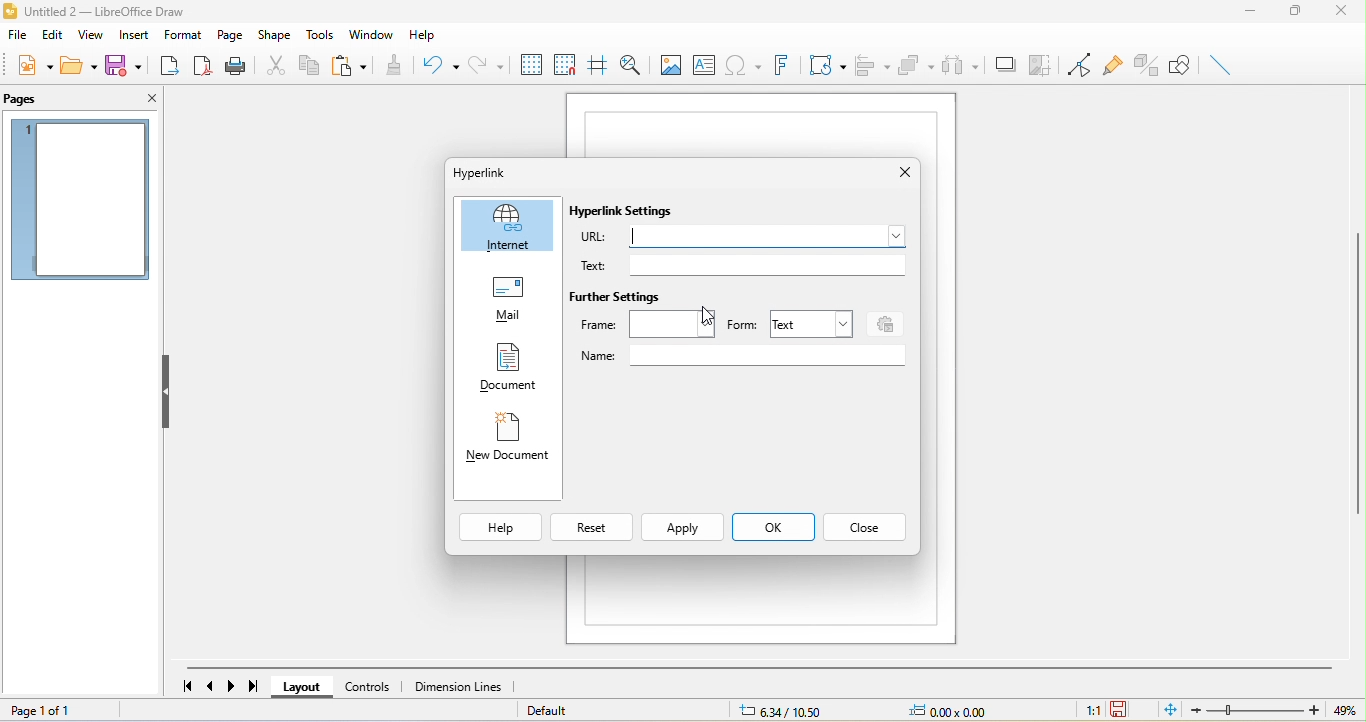  I want to click on page 1 of 1, so click(47, 708).